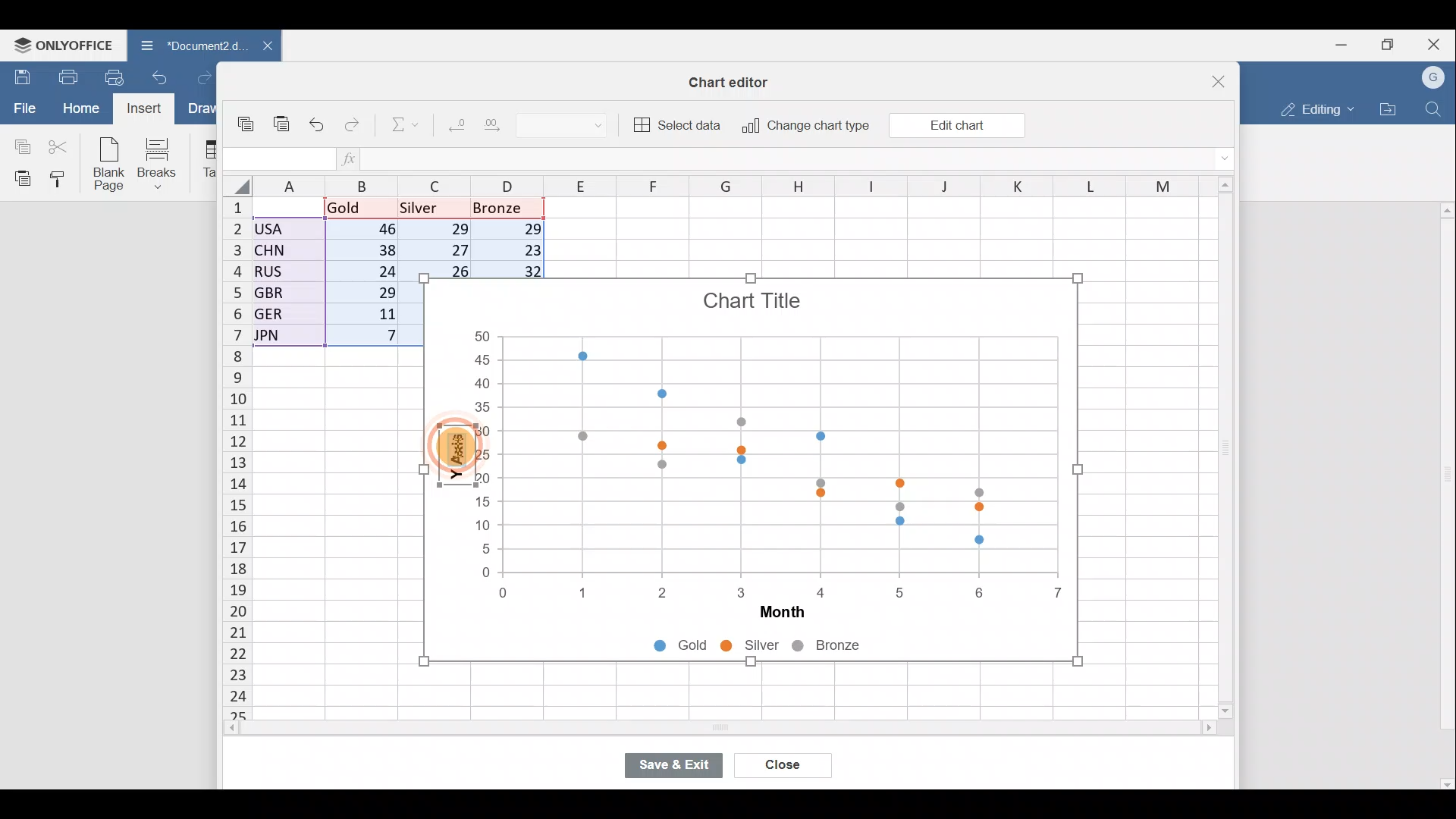 The height and width of the screenshot is (819, 1456). Describe the element at coordinates (791, 160) in the screenshot. I see `Formula bar` at that location.